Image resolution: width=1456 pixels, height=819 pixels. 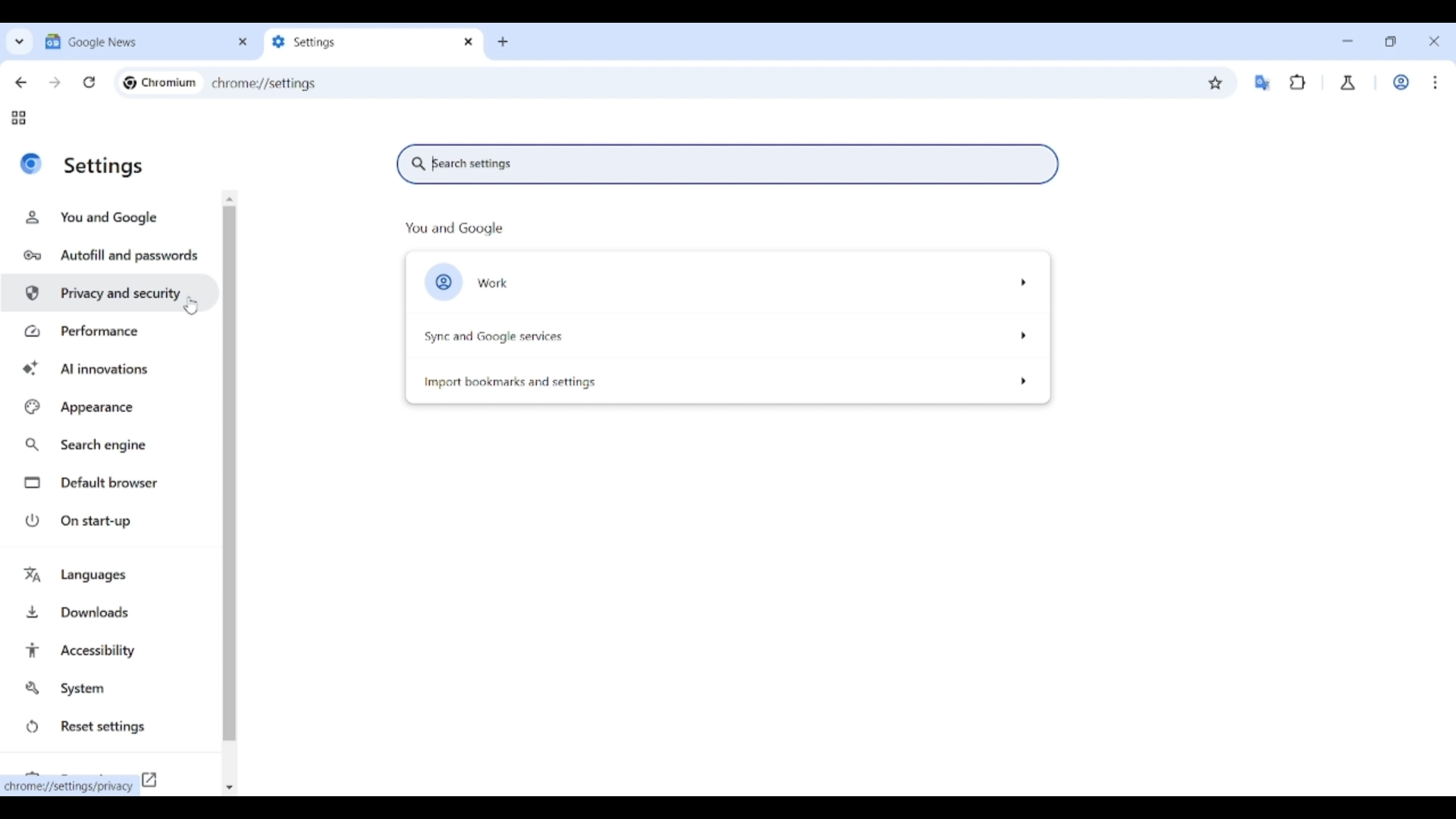 I want to click on Close tab 2, so click(x=469, y=42).